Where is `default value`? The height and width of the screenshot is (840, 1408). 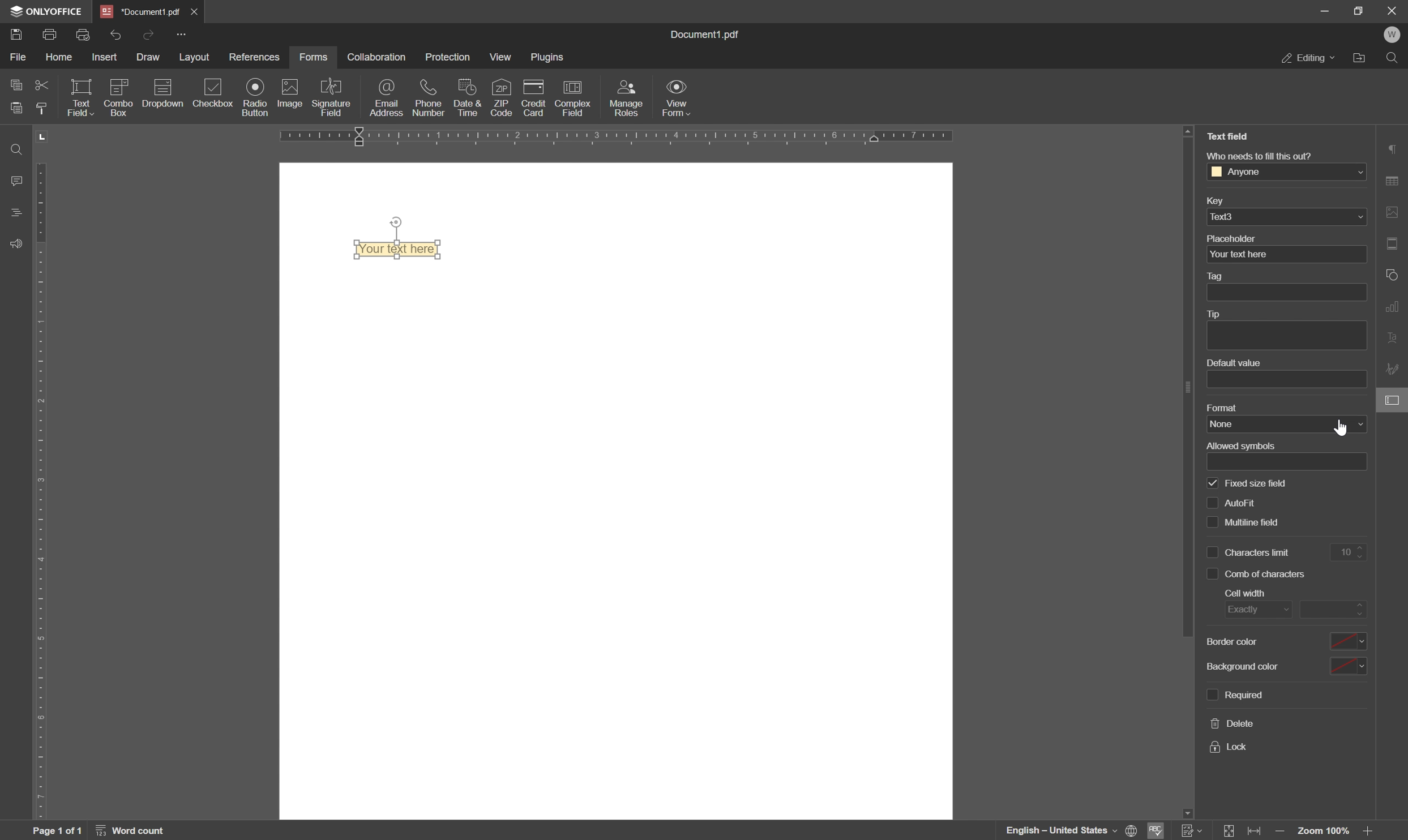 default value is located at coordinates (1231, 363).